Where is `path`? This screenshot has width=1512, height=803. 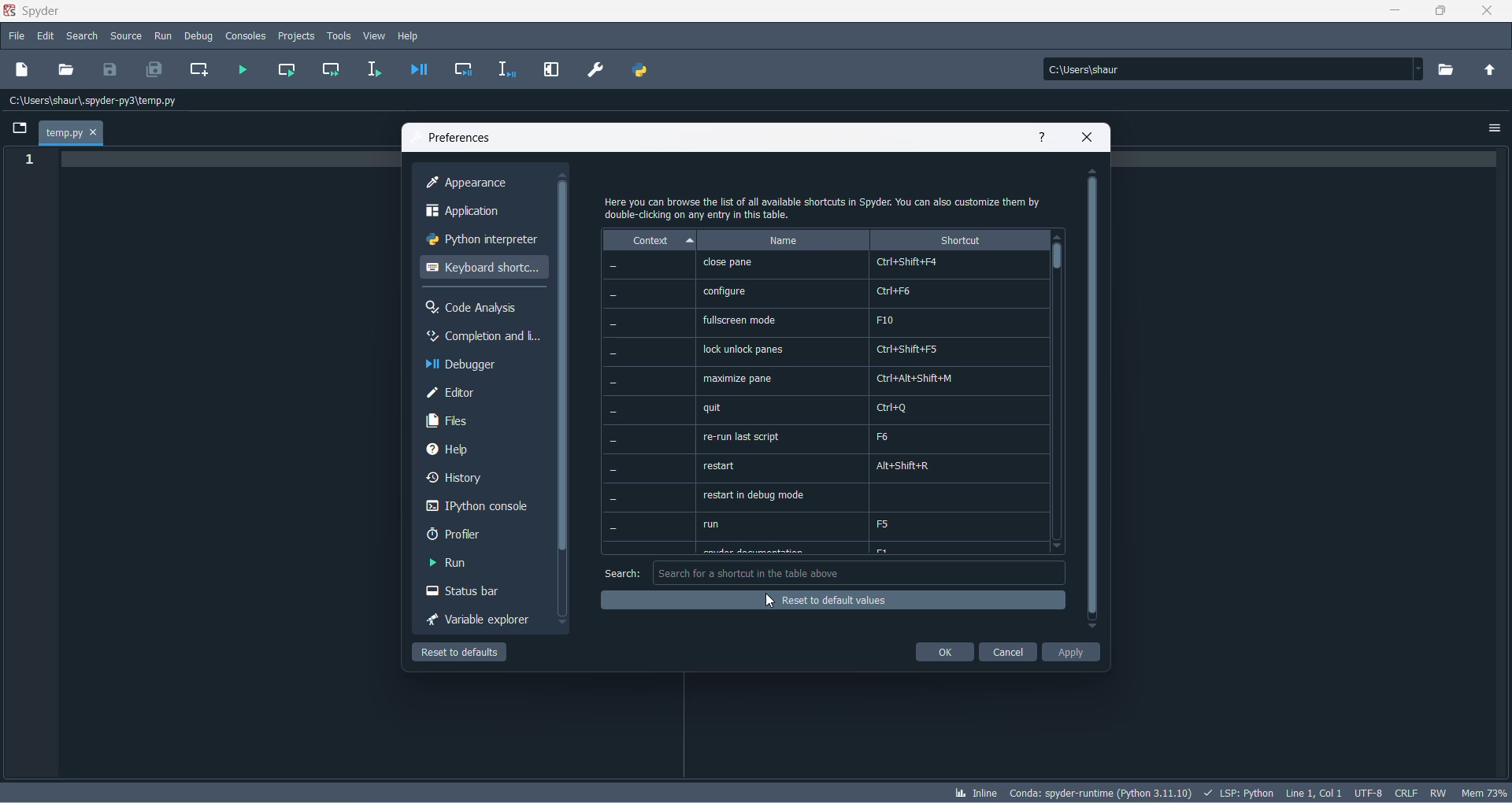
path is located at coordinates (1226, 70).